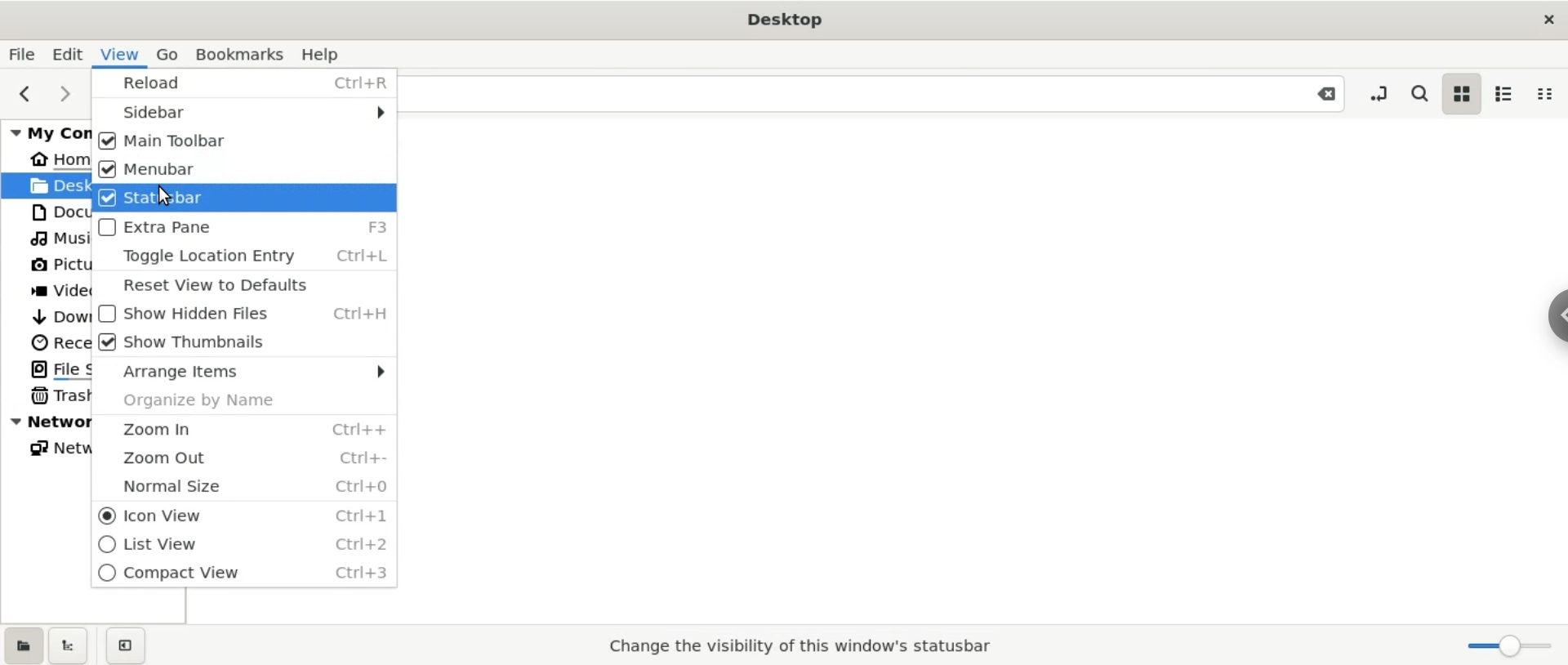 The image size is (1568, 665). Describe the element at coordinates (240, 315) in the screenshot. I see `Show Hidden Files` at that location.